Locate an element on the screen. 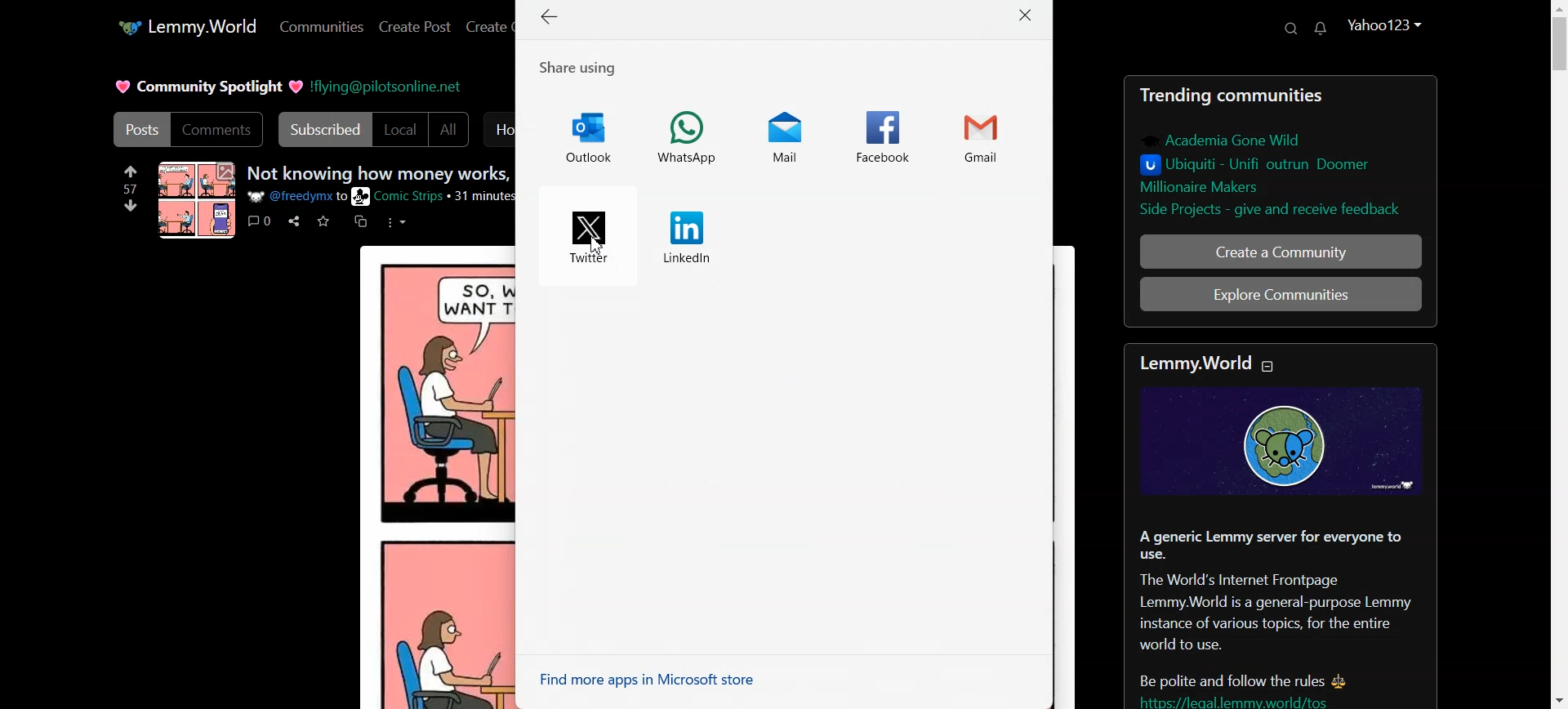 Image resolution: width=1568 pixels, height=709 pixels. mail is located at coordinates (780, 140).